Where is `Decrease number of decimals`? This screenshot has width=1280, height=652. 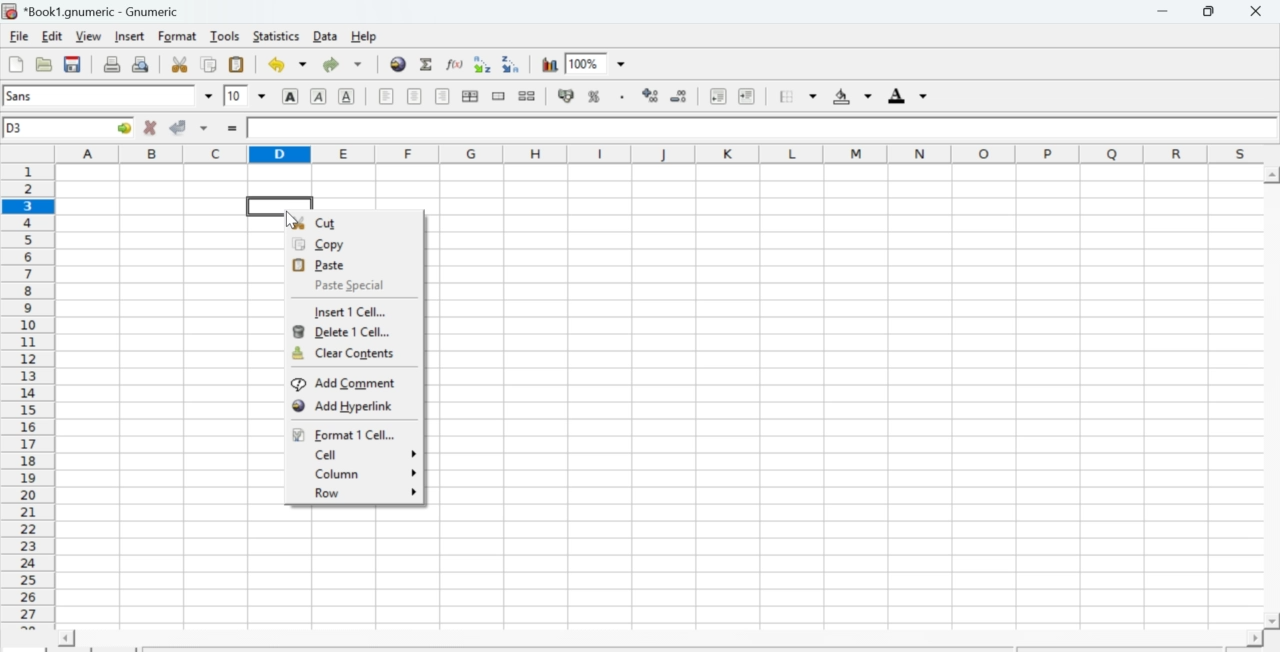
Decrease number of decimals is located at coordinates (678, 96).